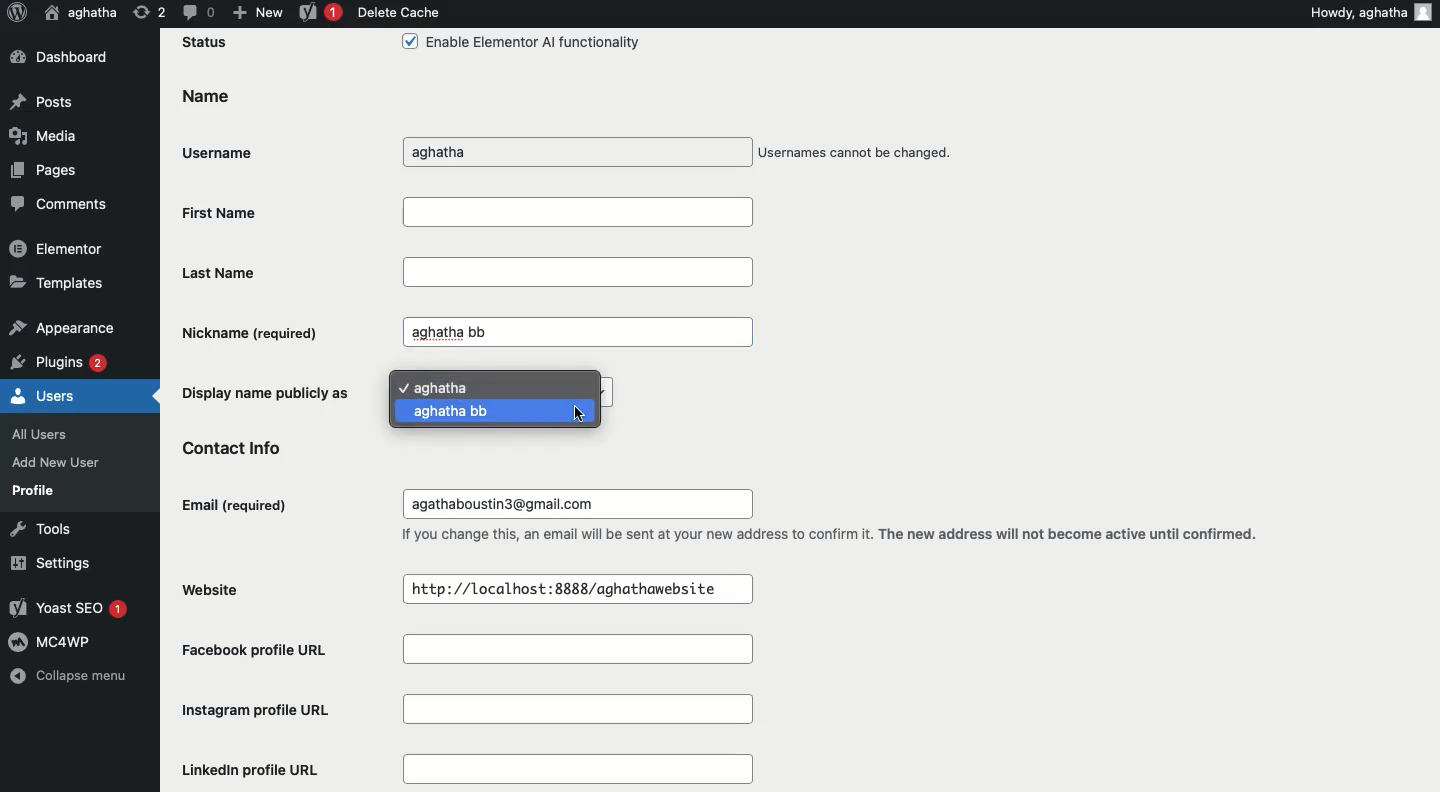 Image resolution: width=1440 pixels, height=792 pixels. Describe the element at coordinates (270, 391) in the screenshot. I see `Display name publicly as` at that location.